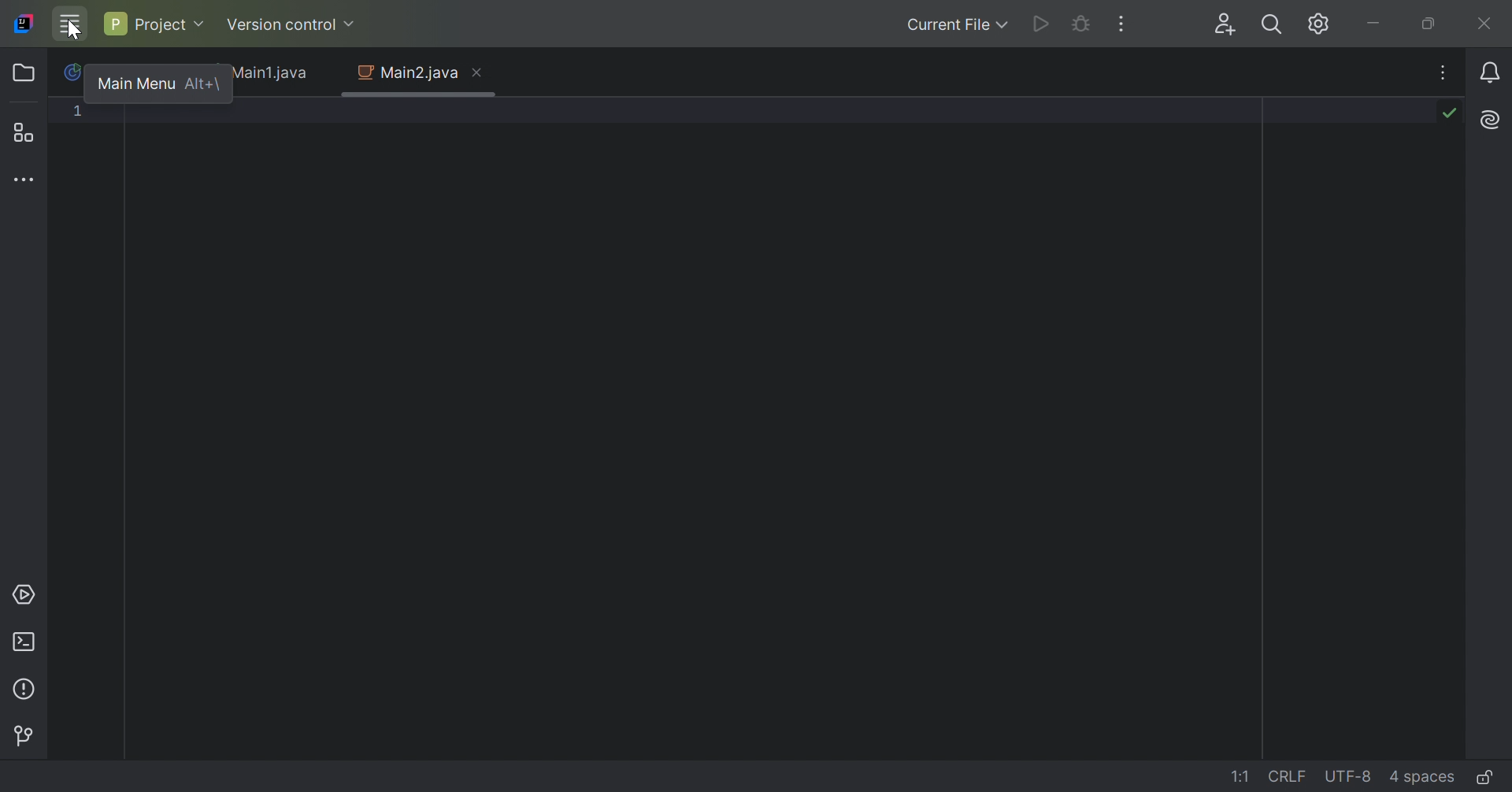  I want to click on Notifications, so click(1493, 72).